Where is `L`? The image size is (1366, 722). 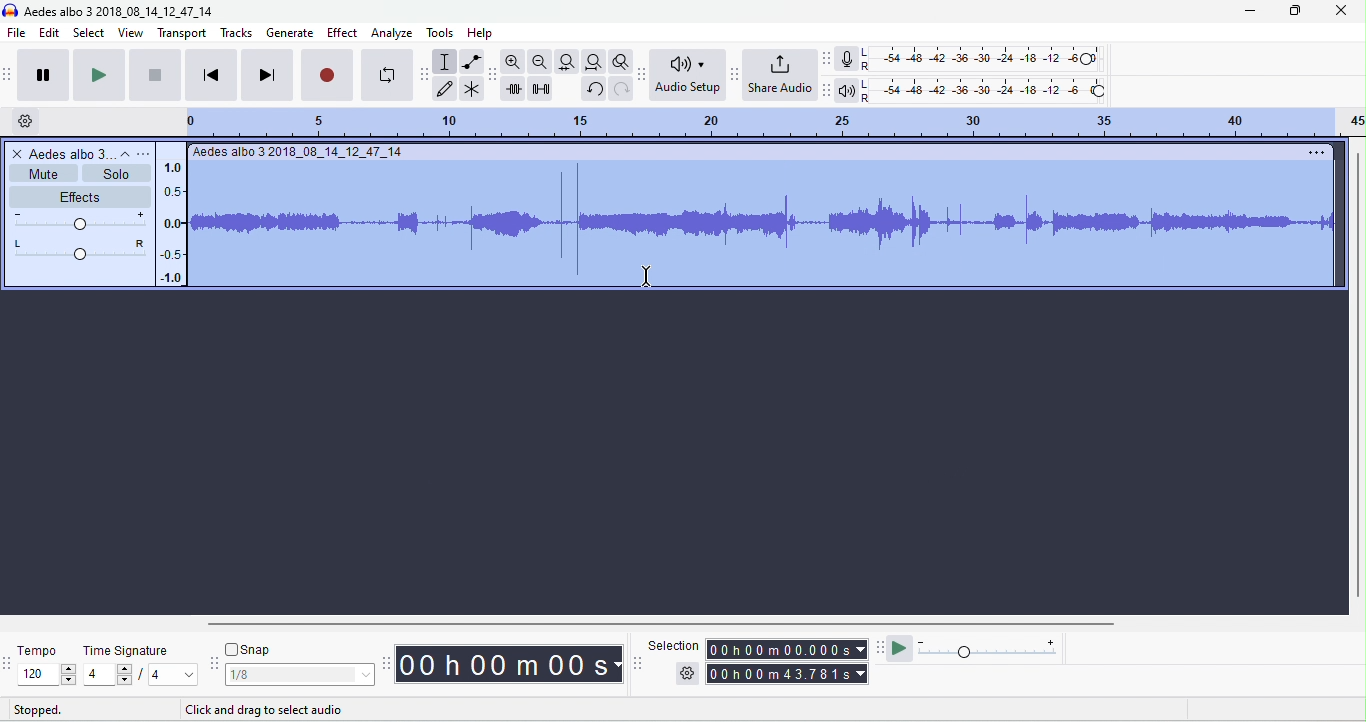 L is located at coordinates (866, 52).